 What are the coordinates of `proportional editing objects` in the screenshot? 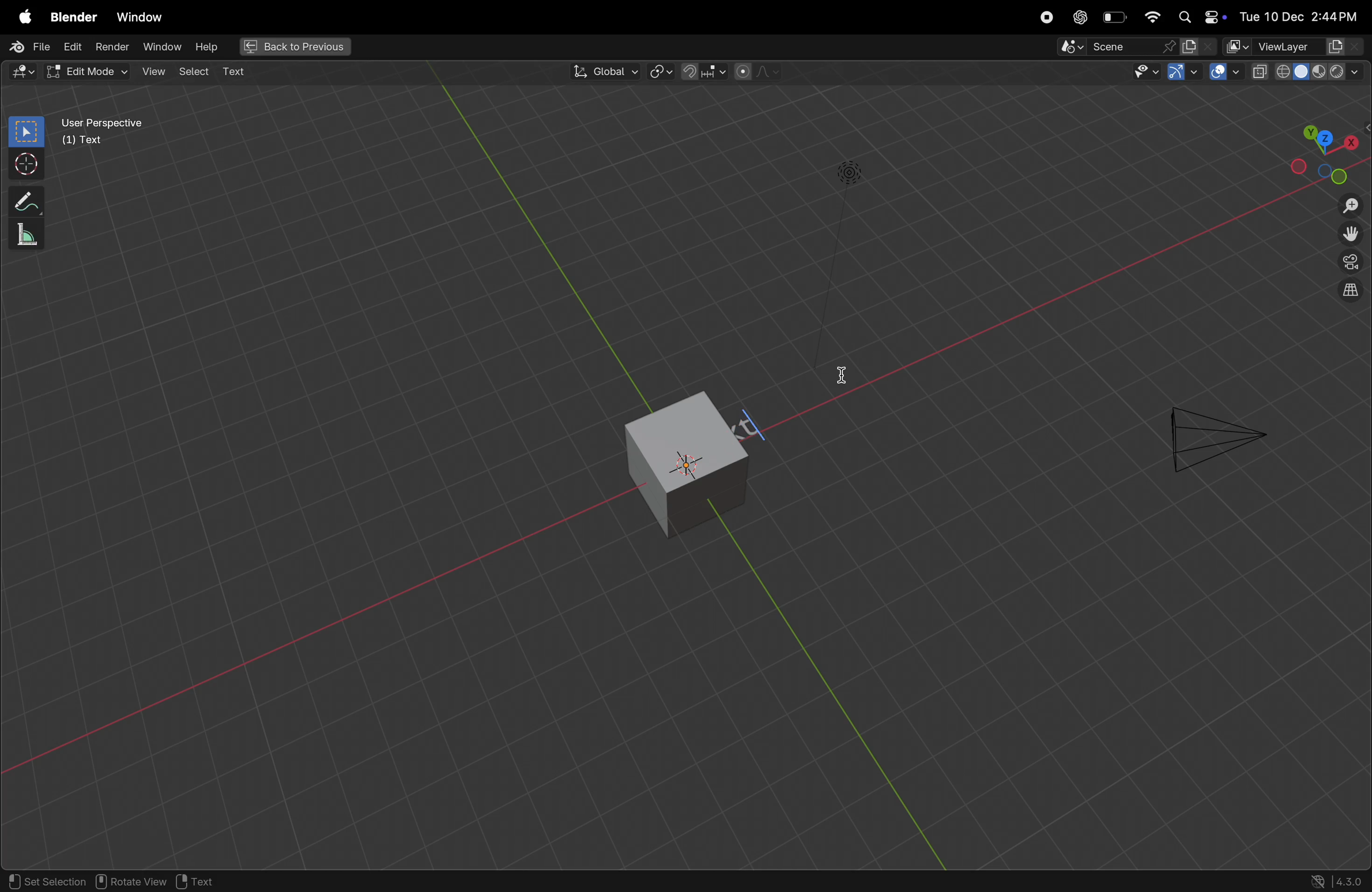 It's located at (758, 73).